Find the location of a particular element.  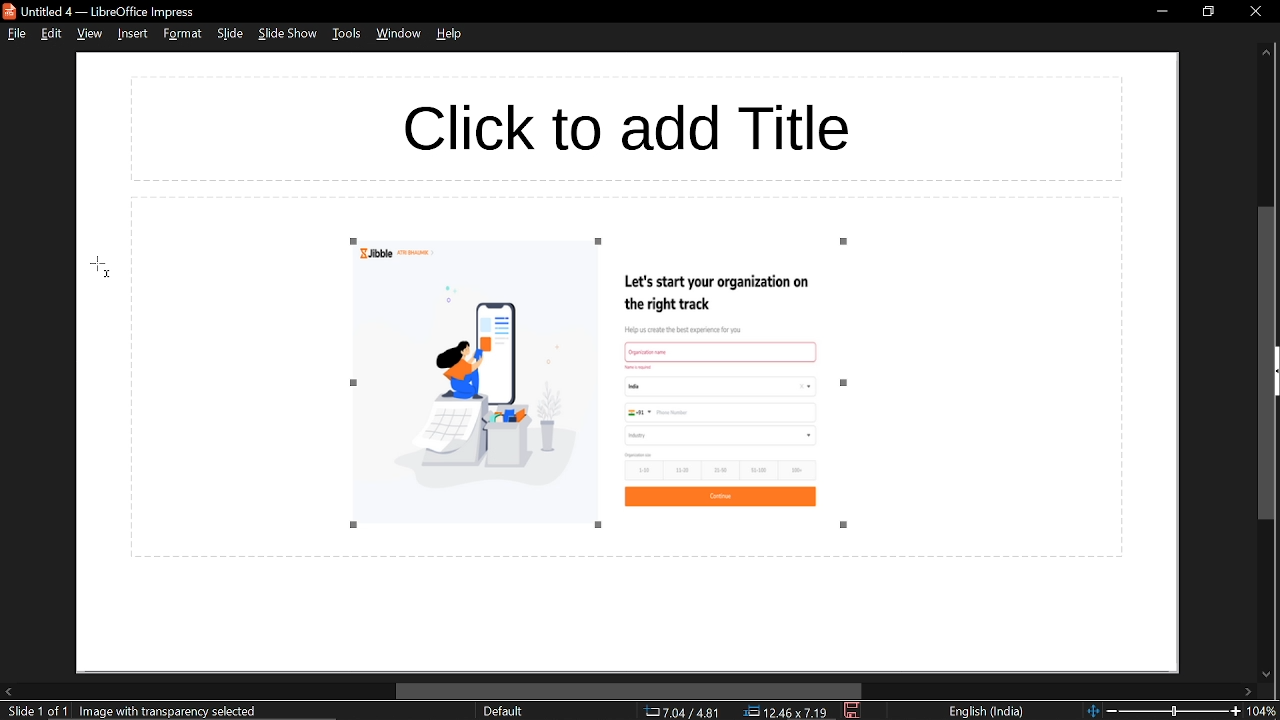

close is located at coordinates (1257, 11).